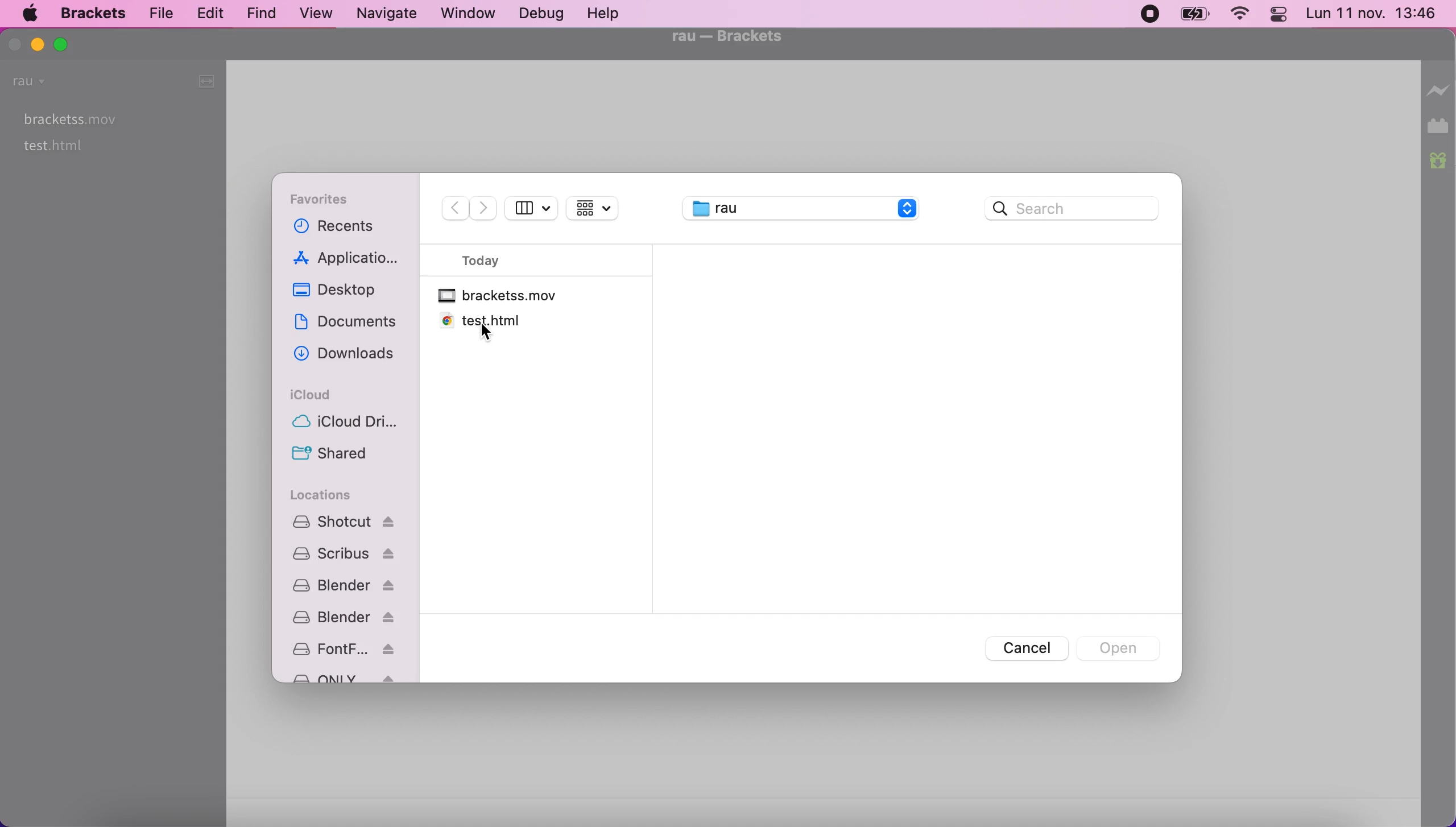 This screenshot has height=827, width=1456. I want to click on fontf, so click(351, 649).